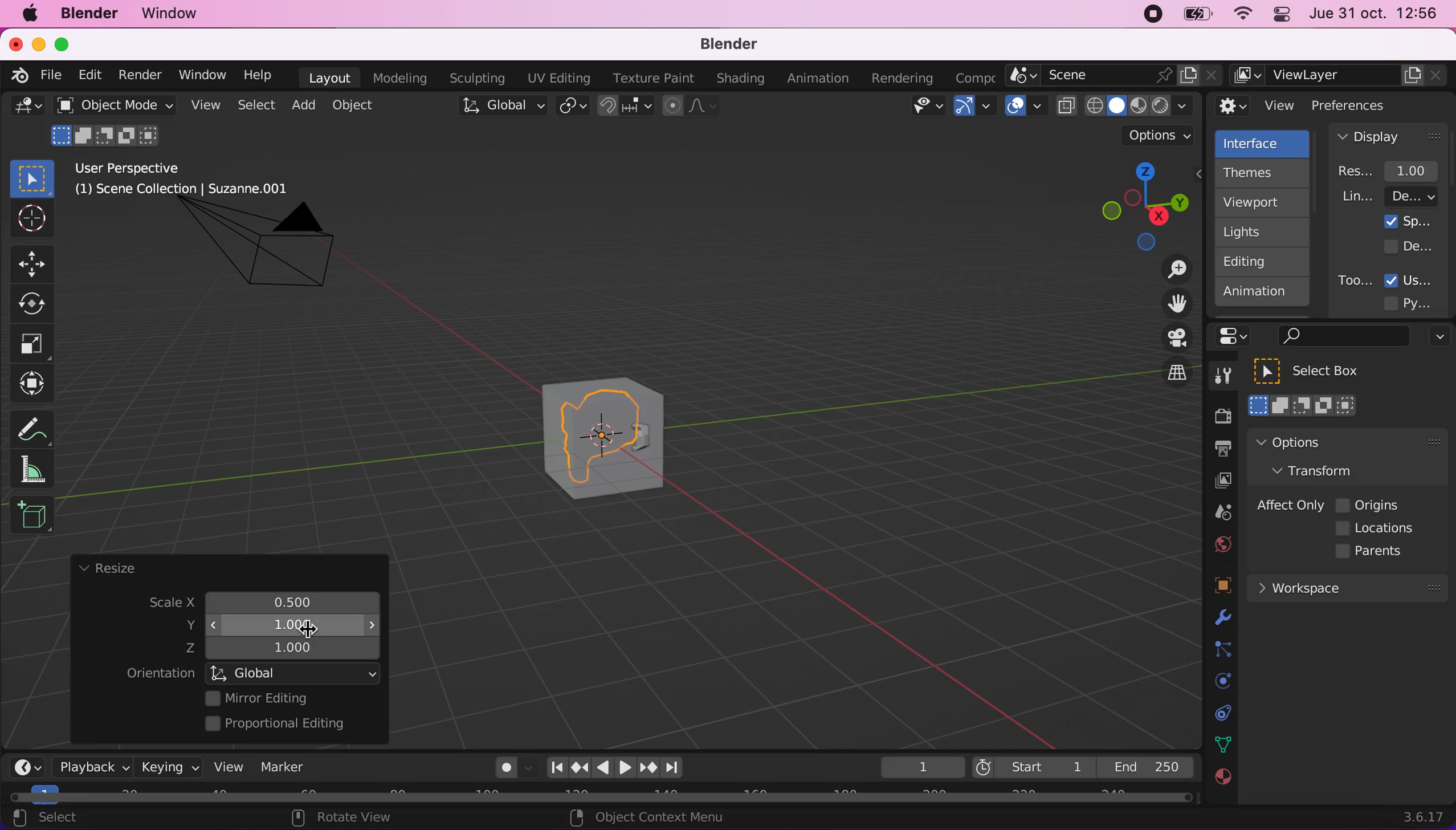 The height and width of the screenshot is (830, 1456). I want to click on object, so click(356, 105).